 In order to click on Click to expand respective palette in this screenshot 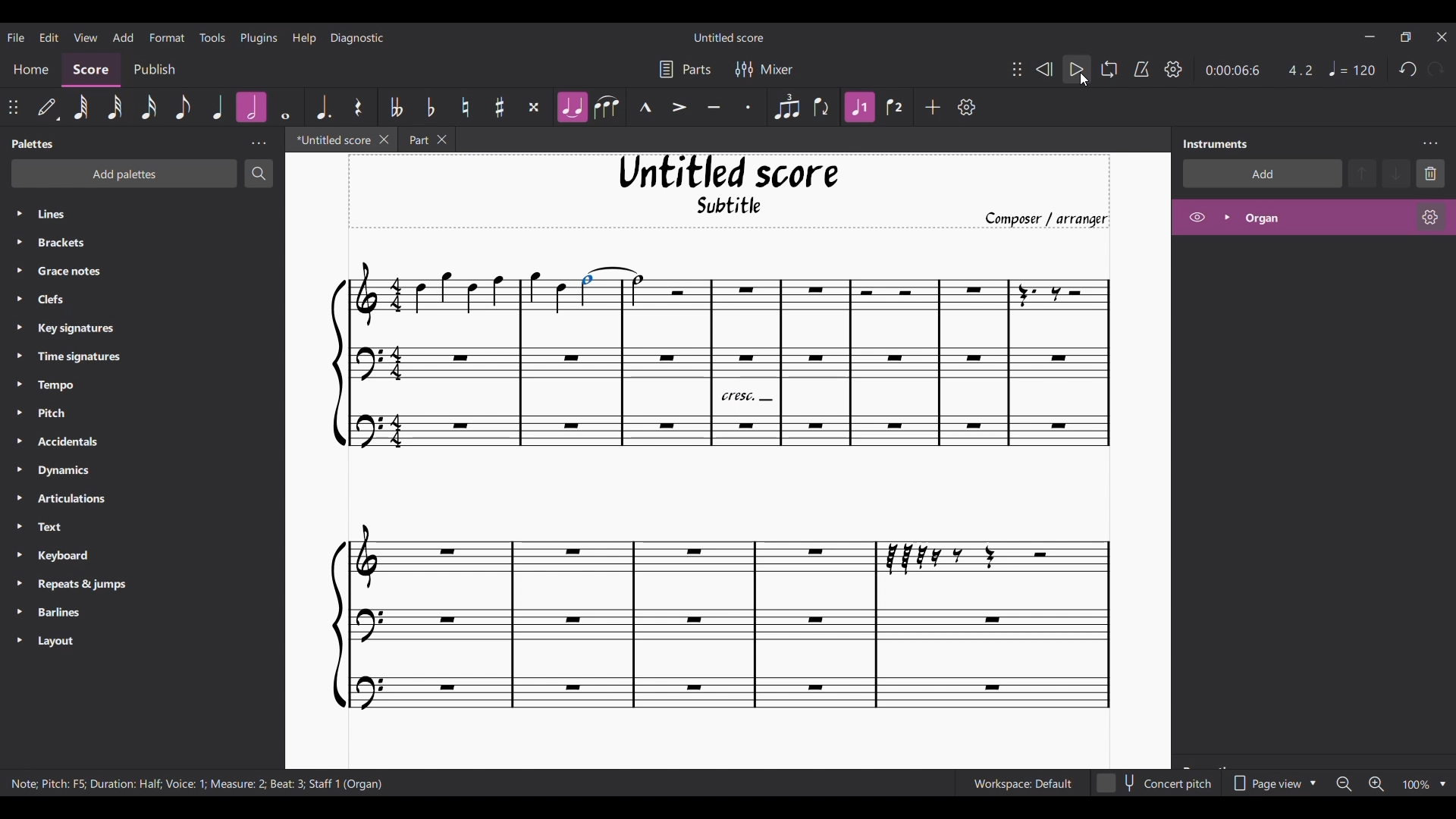, I will do `click(18, 427)`.